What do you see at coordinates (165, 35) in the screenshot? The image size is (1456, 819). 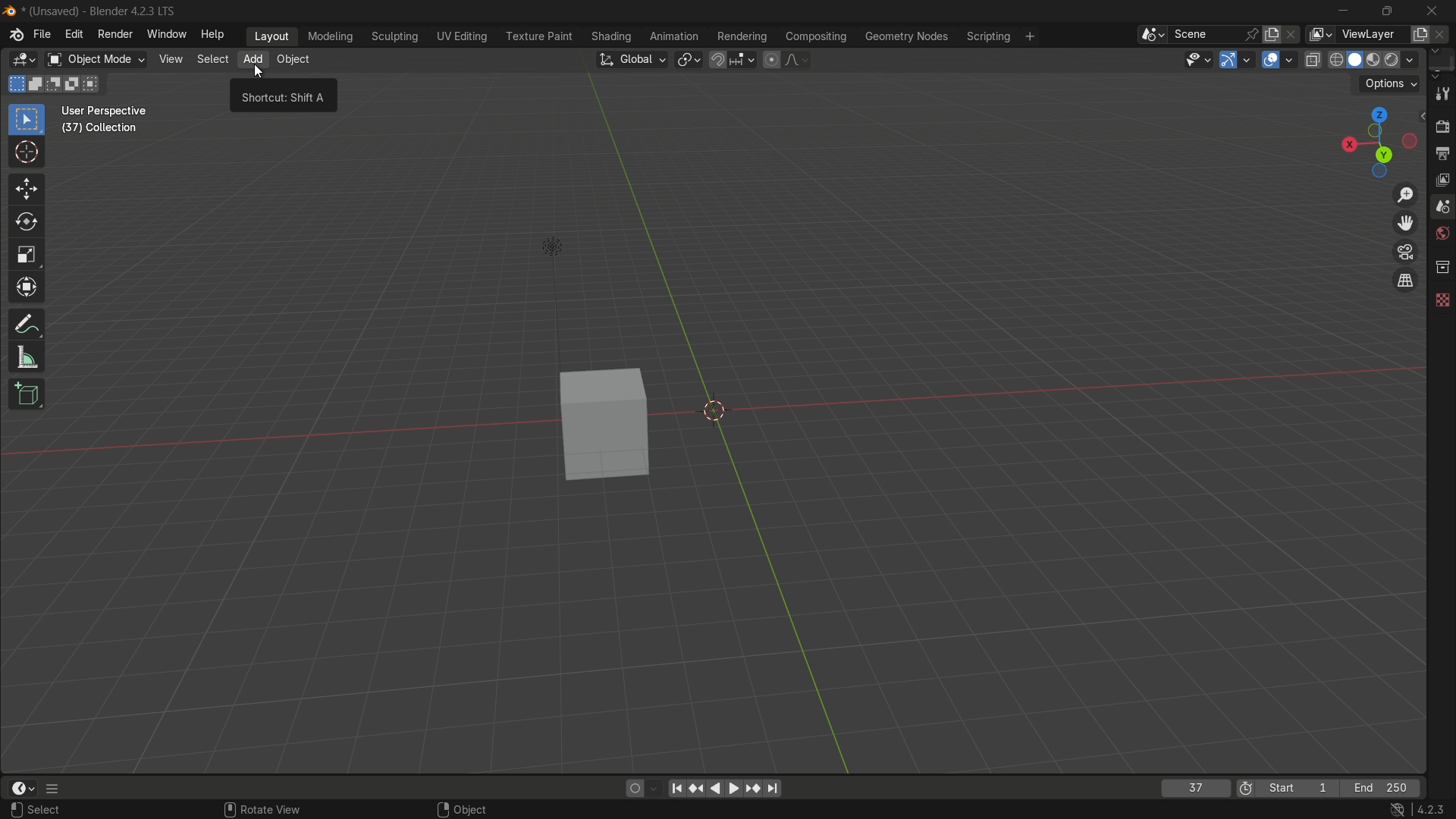 I see `window menu` at bounding box center [165, 35].